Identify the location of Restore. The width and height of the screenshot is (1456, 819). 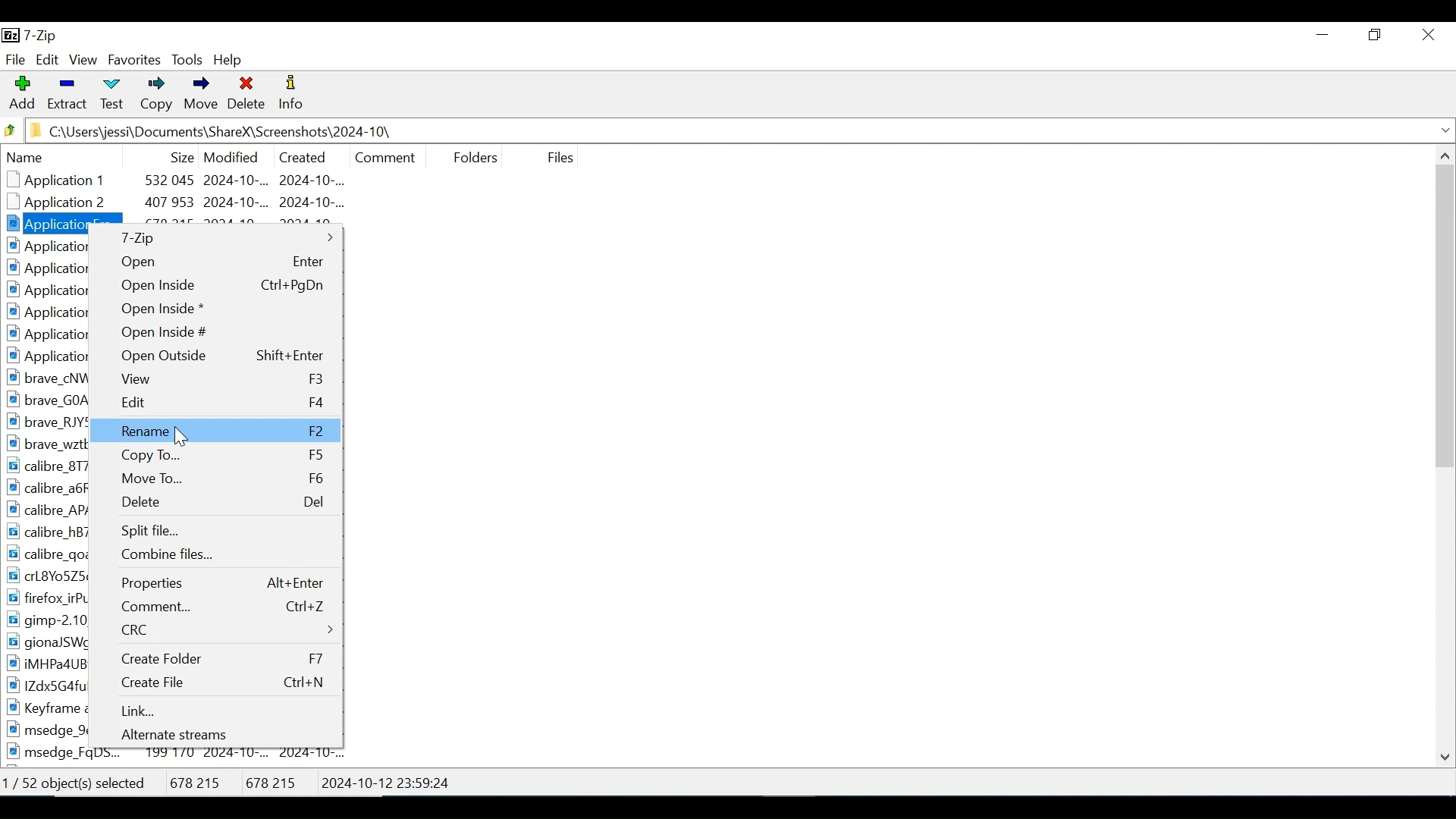
(1377, 34).